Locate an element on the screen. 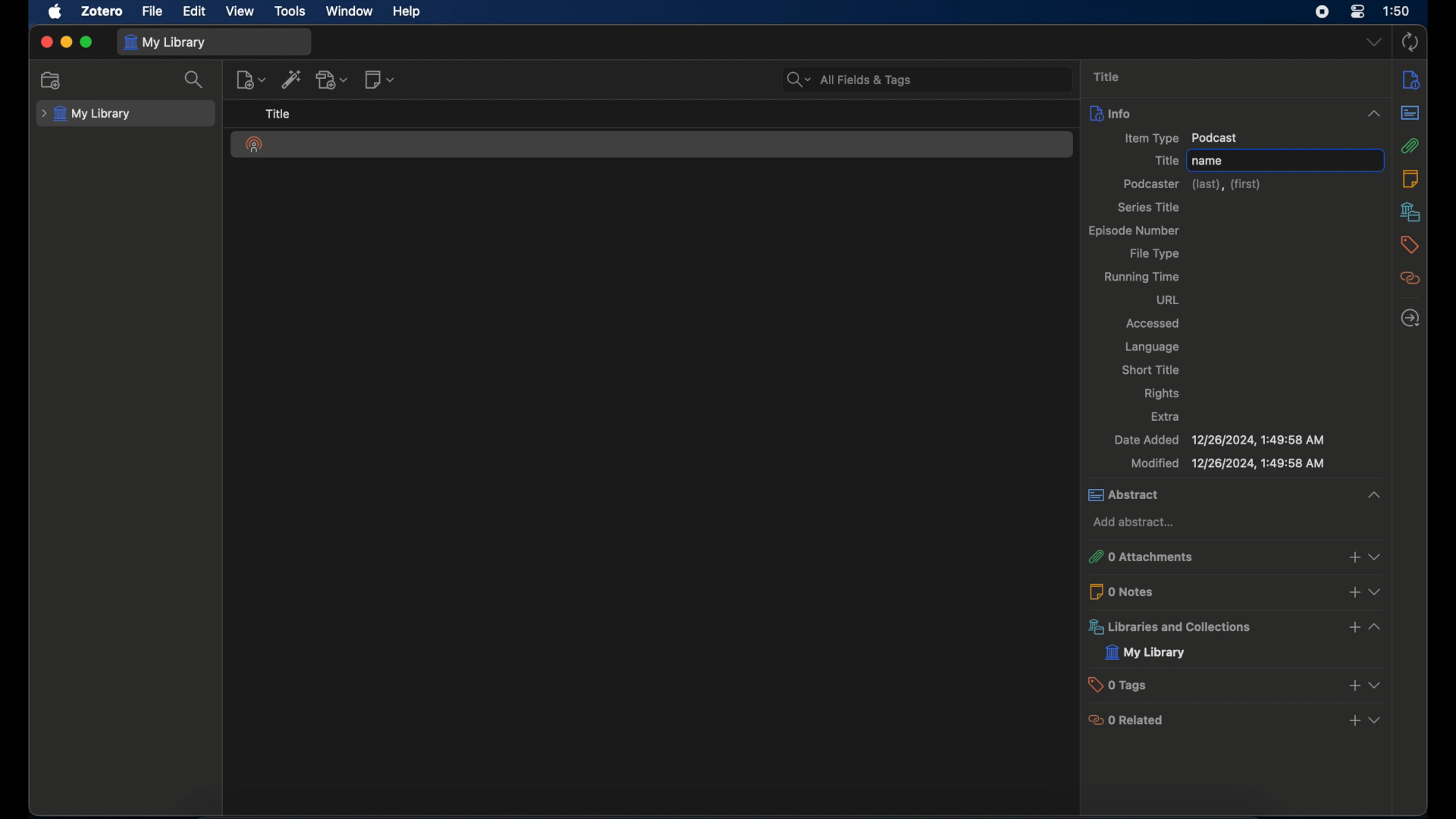  related is located at coordinates (1411, 279).